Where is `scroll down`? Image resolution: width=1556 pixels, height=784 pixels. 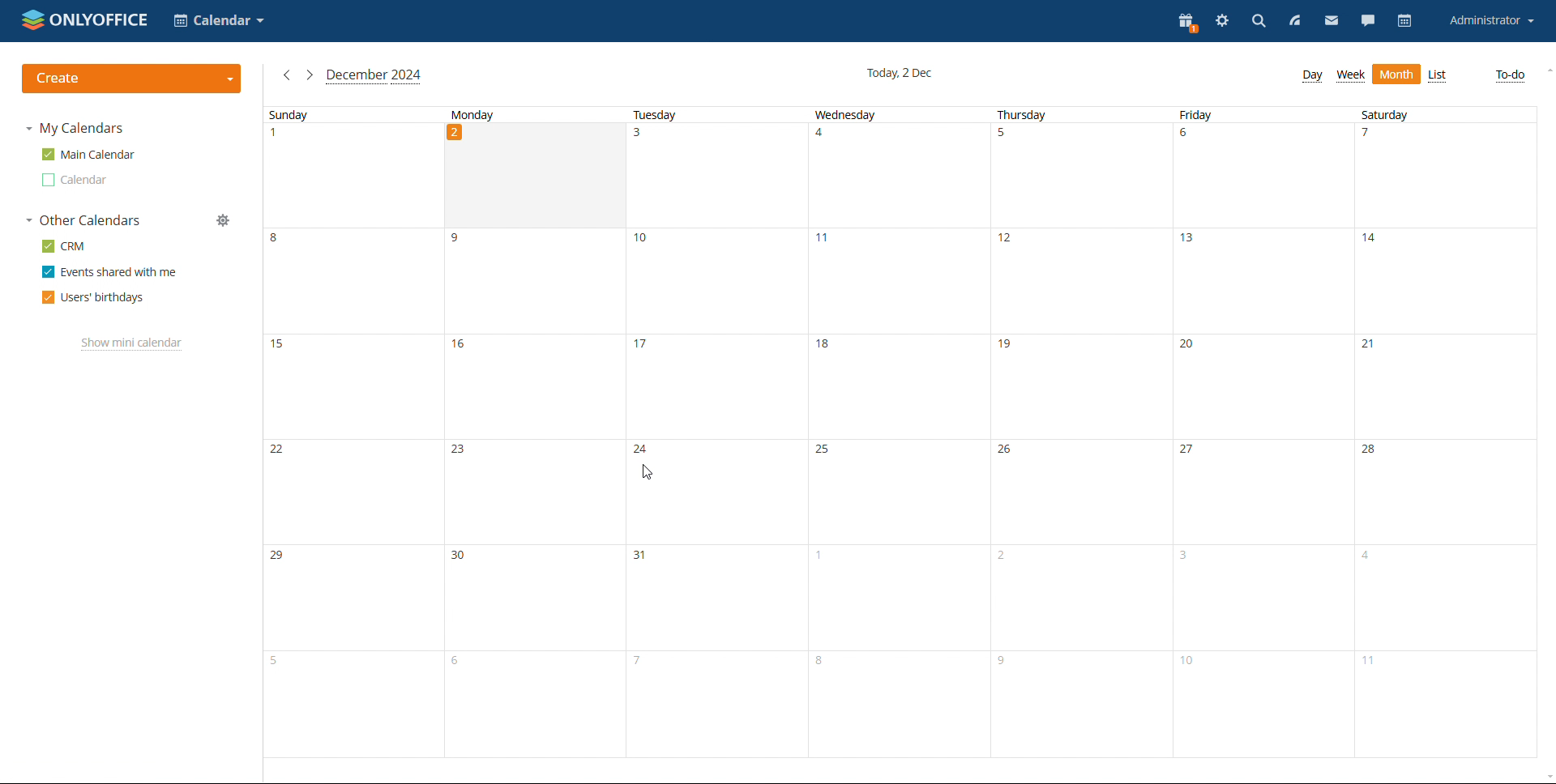 scroll down is located at coordinates (1546, 776).